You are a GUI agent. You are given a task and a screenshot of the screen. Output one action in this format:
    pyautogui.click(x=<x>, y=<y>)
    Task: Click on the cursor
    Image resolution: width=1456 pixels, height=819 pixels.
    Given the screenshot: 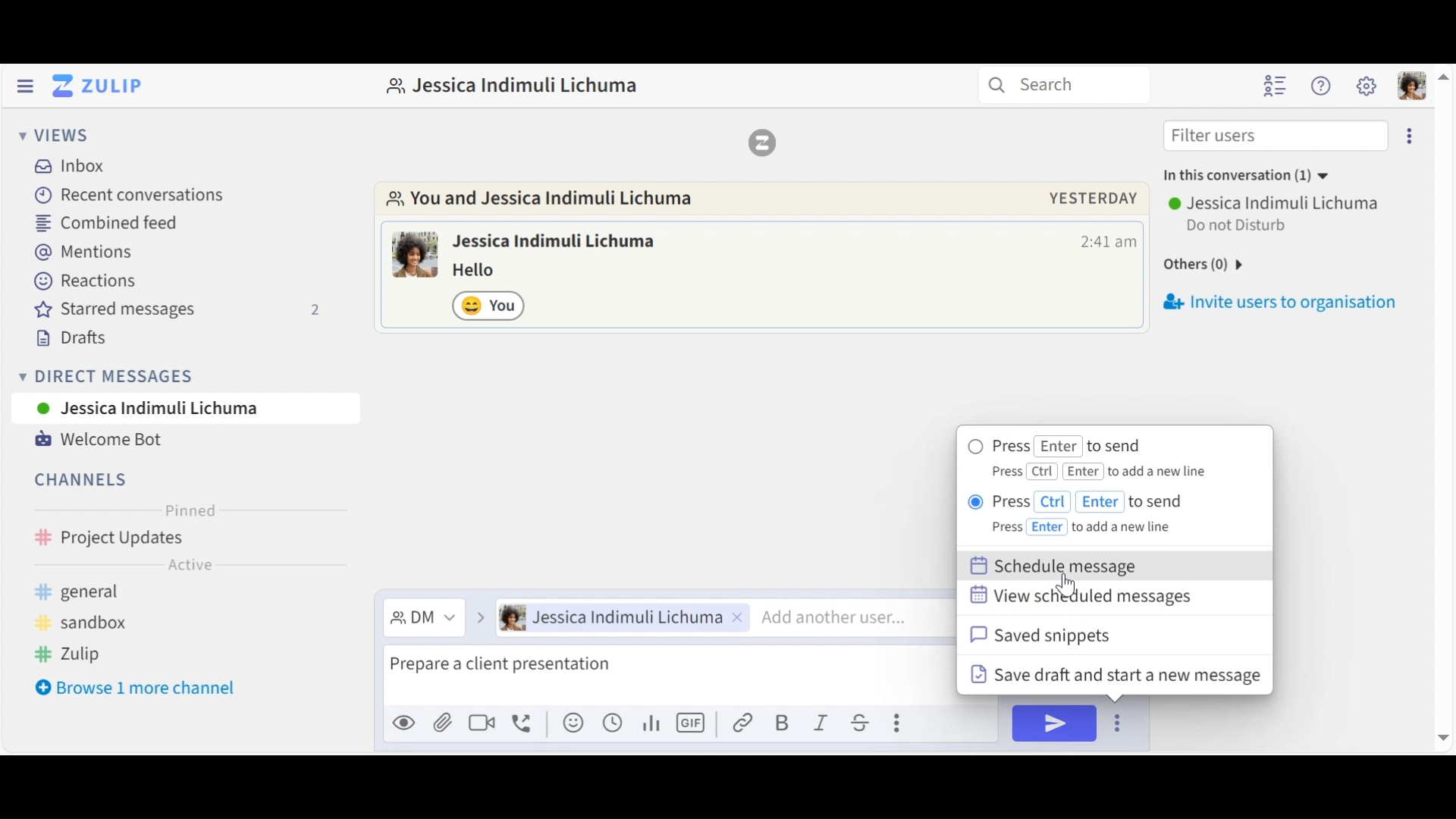 What is the action you would take?
    pyautogui.click(x=1068, y=586)
    